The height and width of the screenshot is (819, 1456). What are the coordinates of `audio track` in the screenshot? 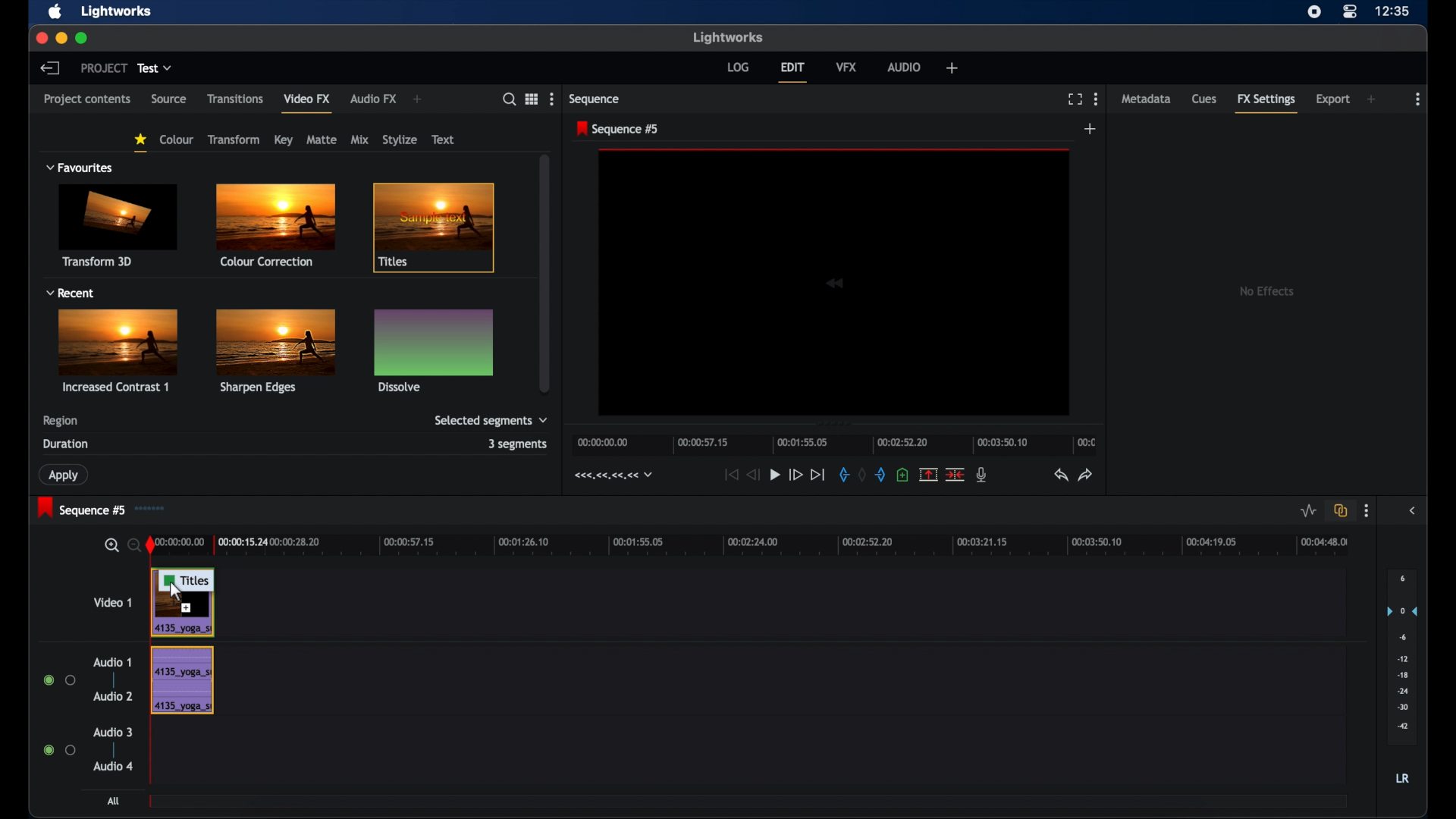 It's located at (182, 680).